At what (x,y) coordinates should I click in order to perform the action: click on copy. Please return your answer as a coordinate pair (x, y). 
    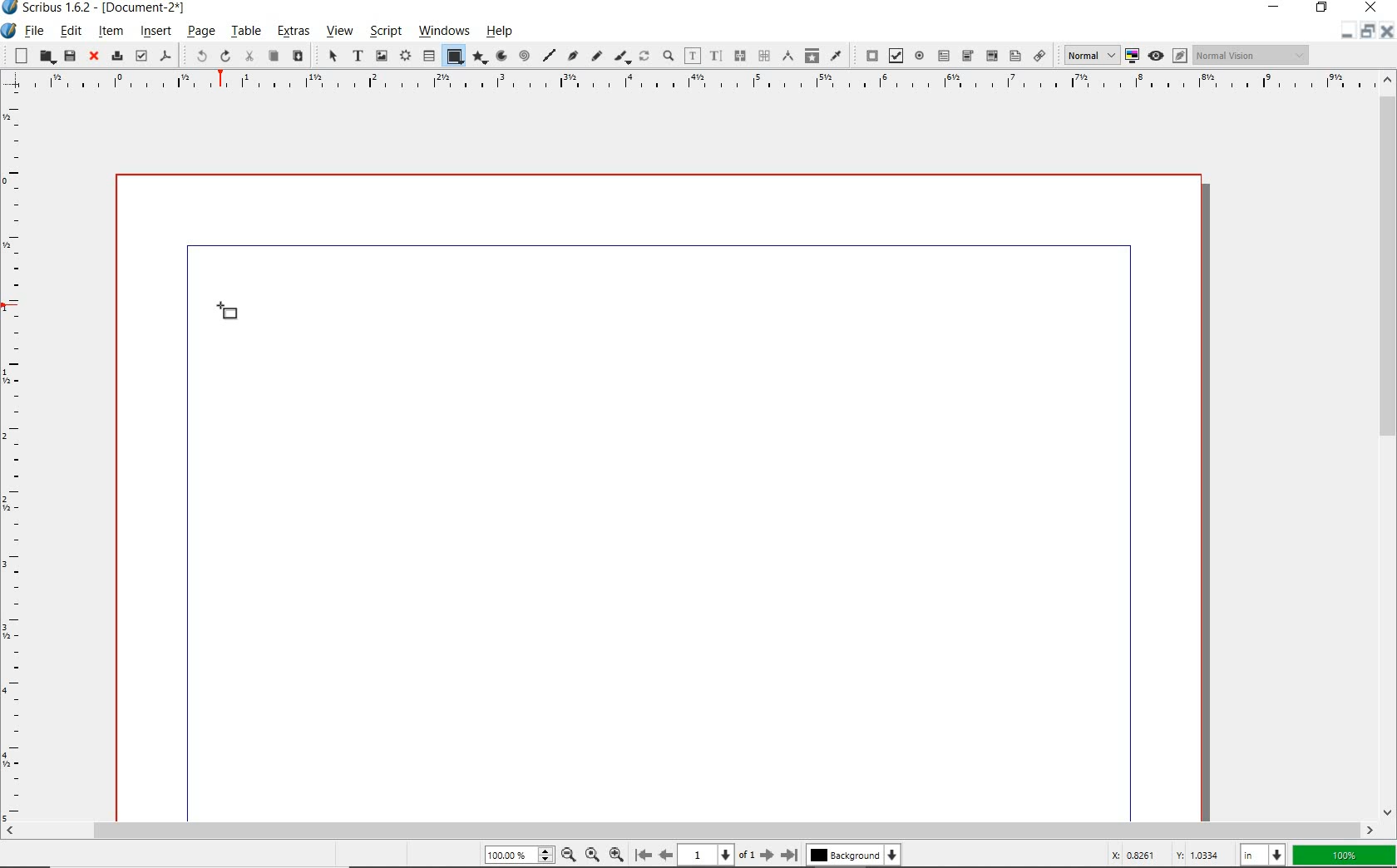
    Looking at the image, I should click on (273, 57).